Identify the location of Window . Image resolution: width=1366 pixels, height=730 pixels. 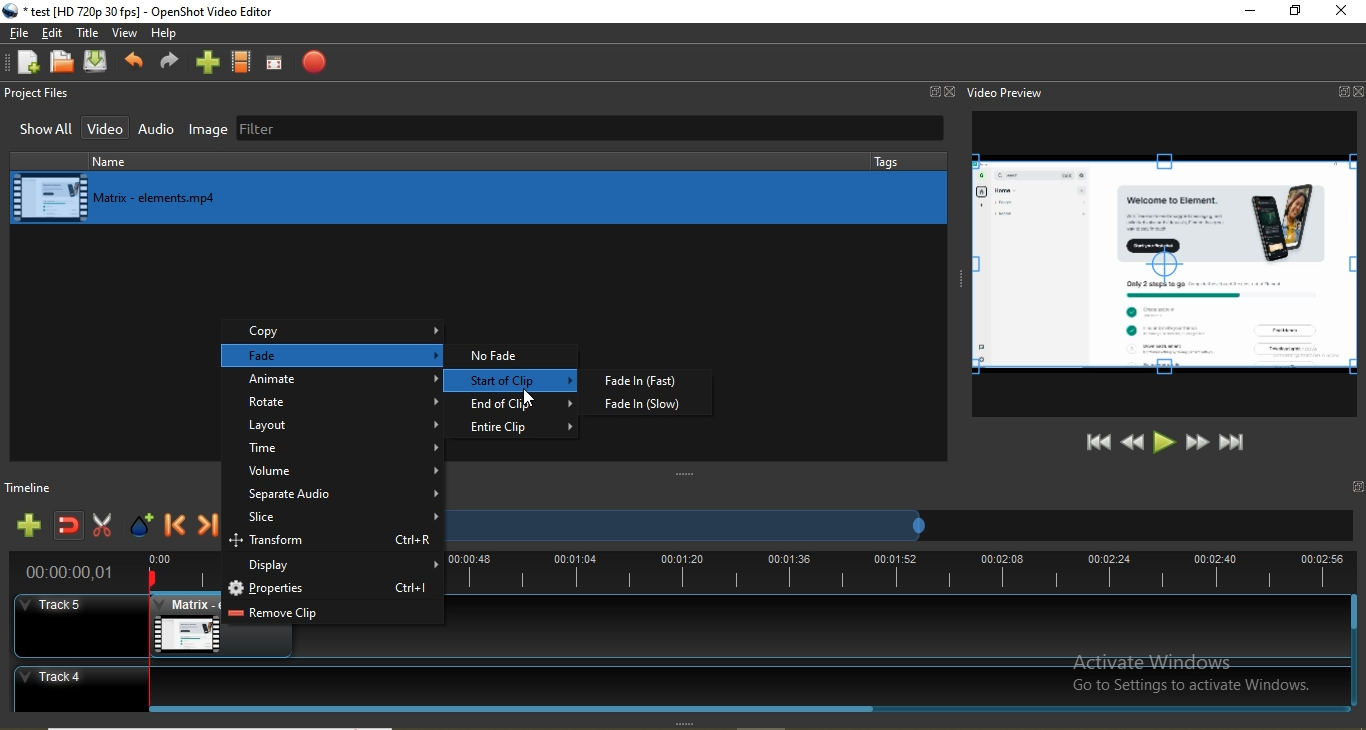
(935, 91).